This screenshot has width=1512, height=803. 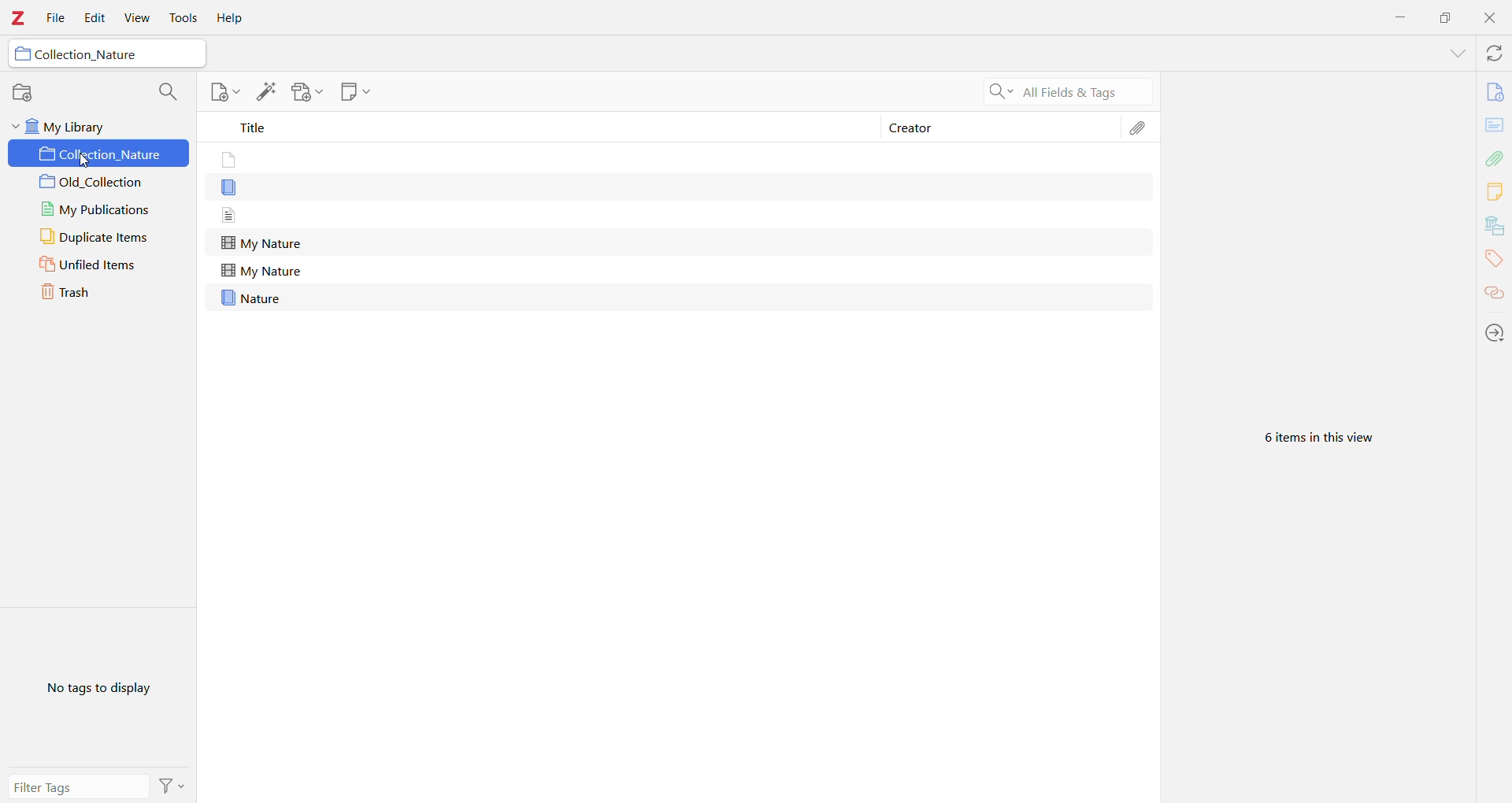 What do you see at coordinates (308, 94) in the screenshot?
I see `Add Attachment` at bounding box center [308, 94].